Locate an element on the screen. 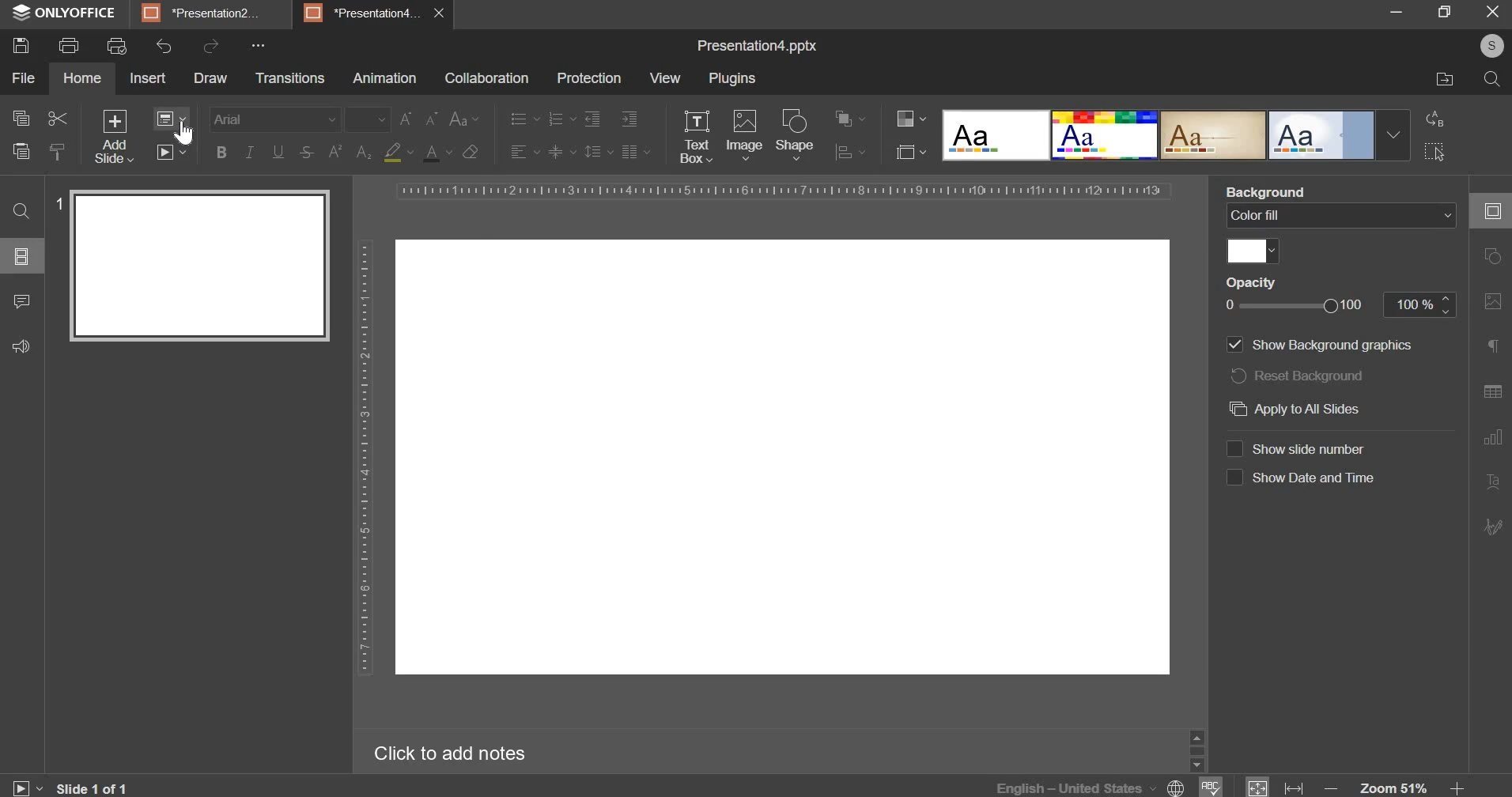 This screenshot has width=1512, height=797. fill color is located at coordinates (396, 153).